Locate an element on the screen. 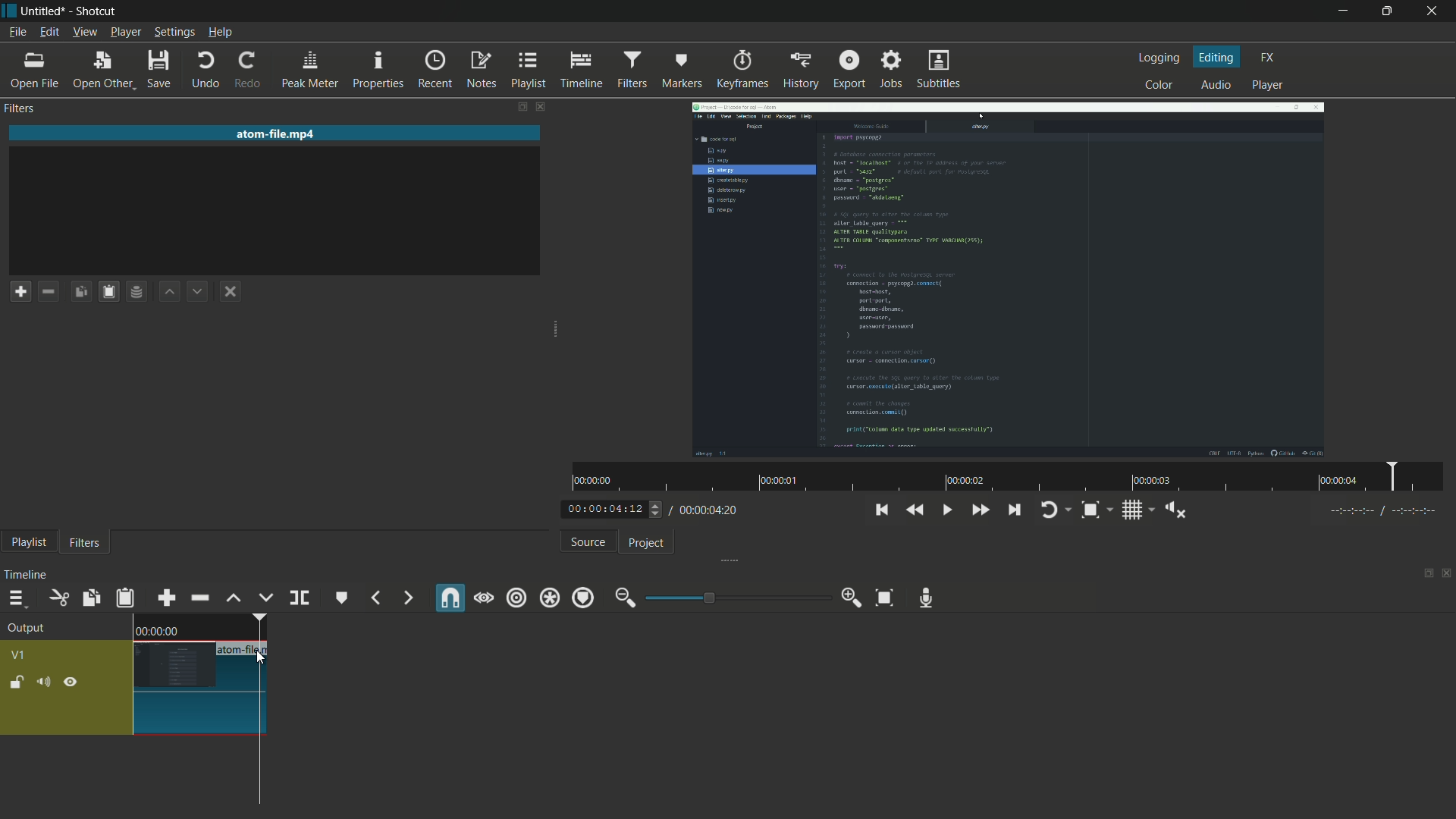 The height and width of the screenshot is (819, 1456). project is located at coordinates (647, 543).